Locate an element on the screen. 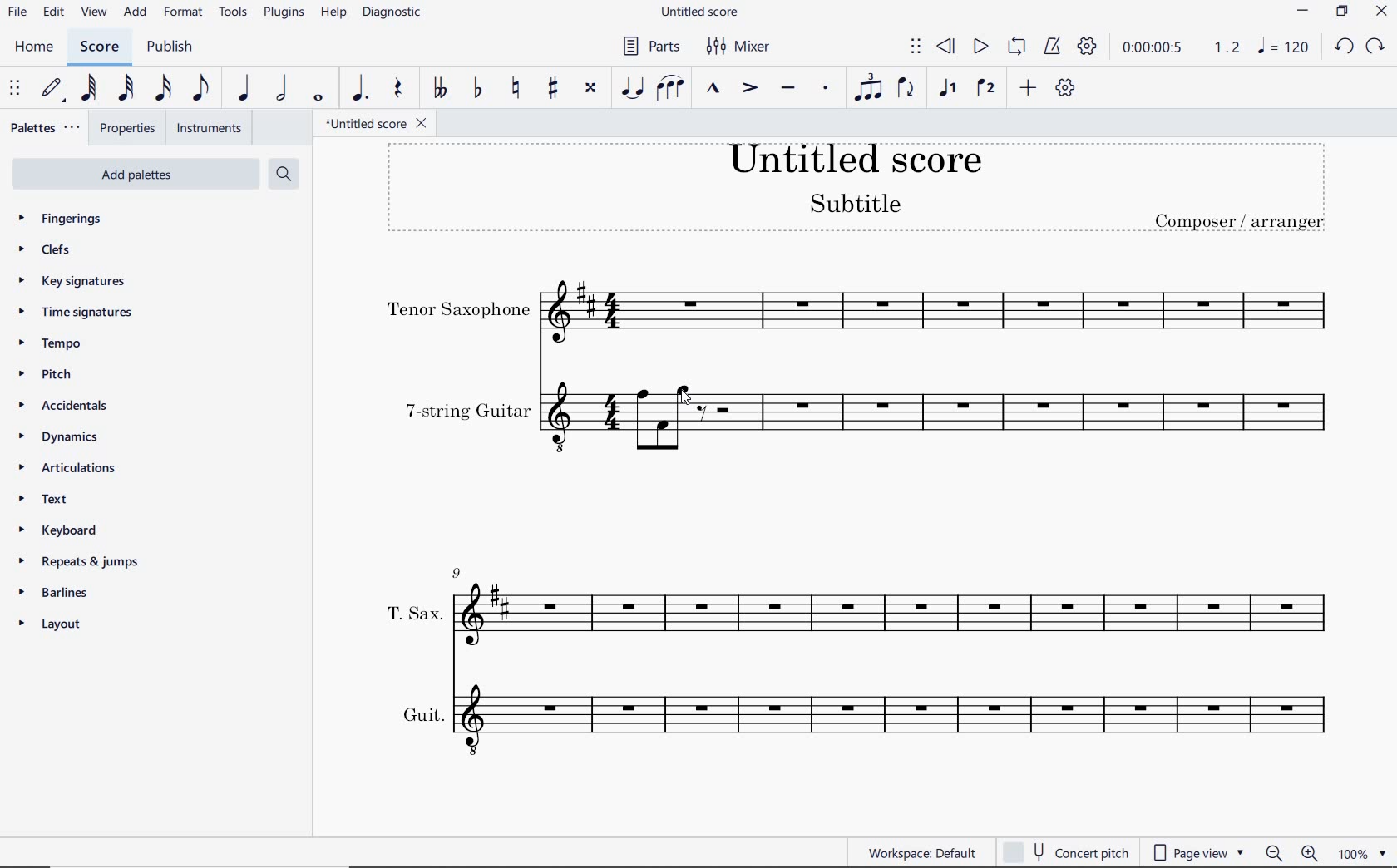 This screenshot has width=1397, height=868. EIGHTH NOTE is located at coordinates (202, 89).